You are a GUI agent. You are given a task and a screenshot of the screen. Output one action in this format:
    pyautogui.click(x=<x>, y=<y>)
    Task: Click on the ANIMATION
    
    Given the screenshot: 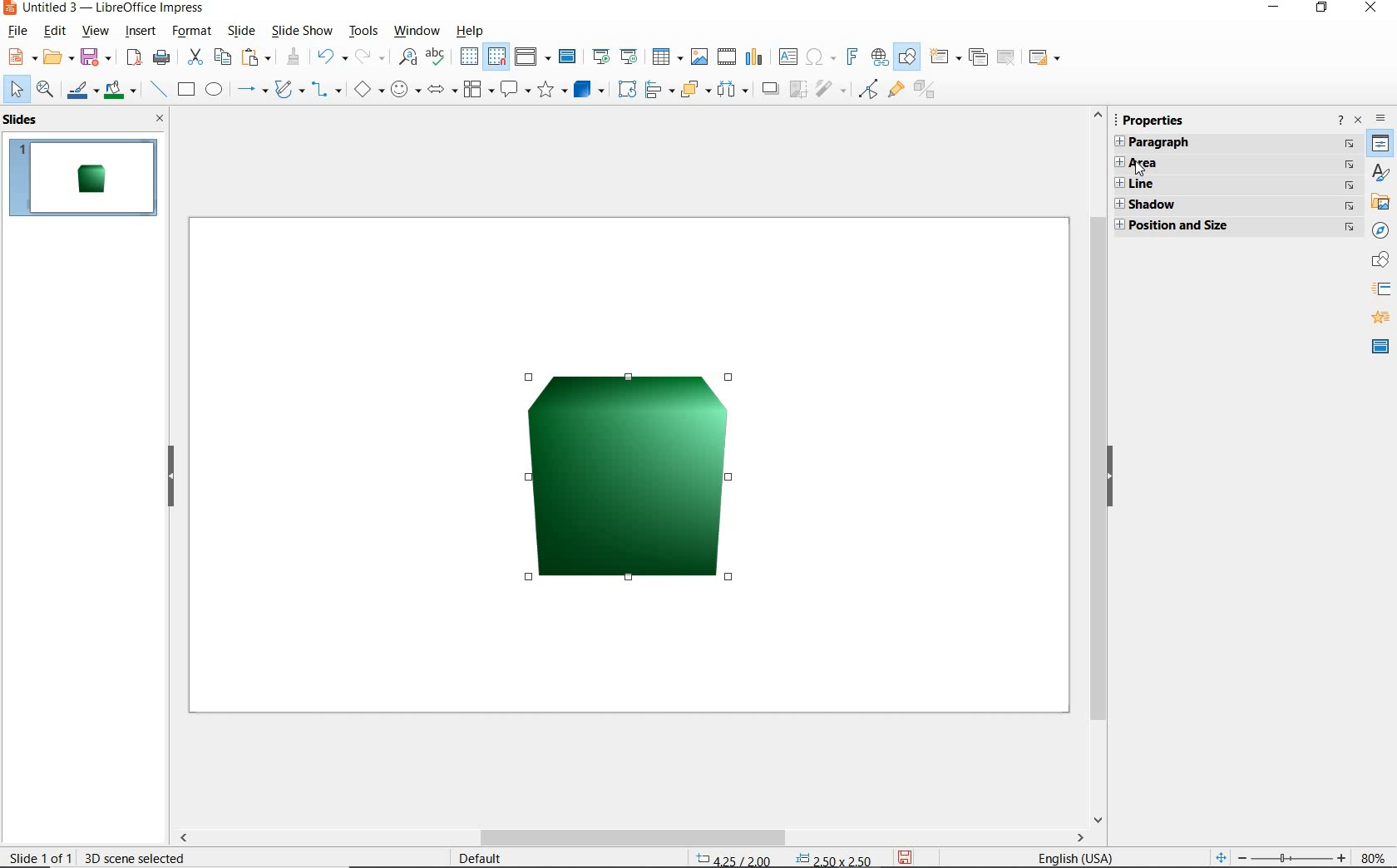 What is the action you would take?
    pyautogui.click(x=1381, y=320)
    